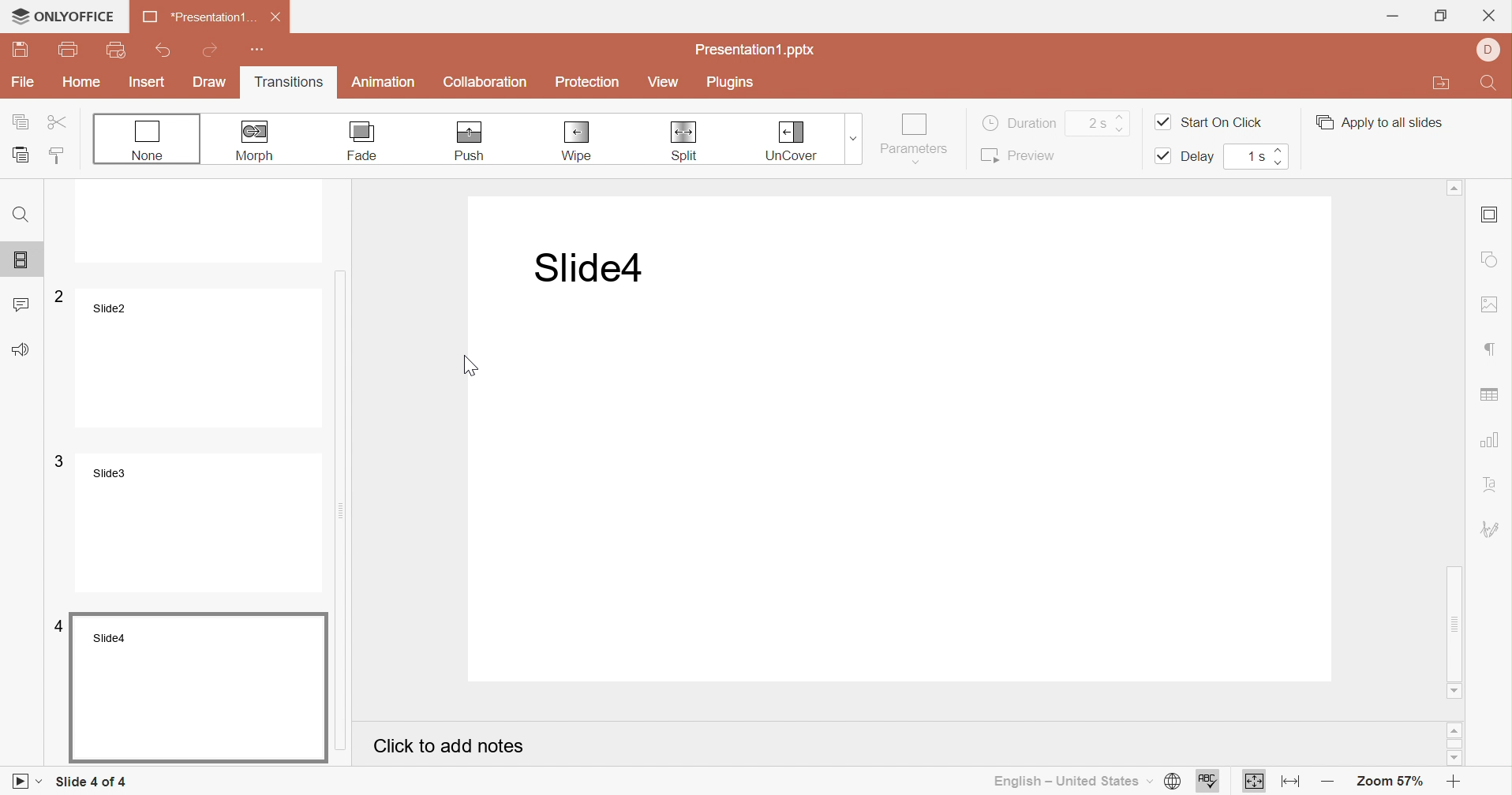 The height and width of the screenshot is (795, 1512). Describe the element at coordinates (466, 140) in the screenshot. I see `Push` at that location.